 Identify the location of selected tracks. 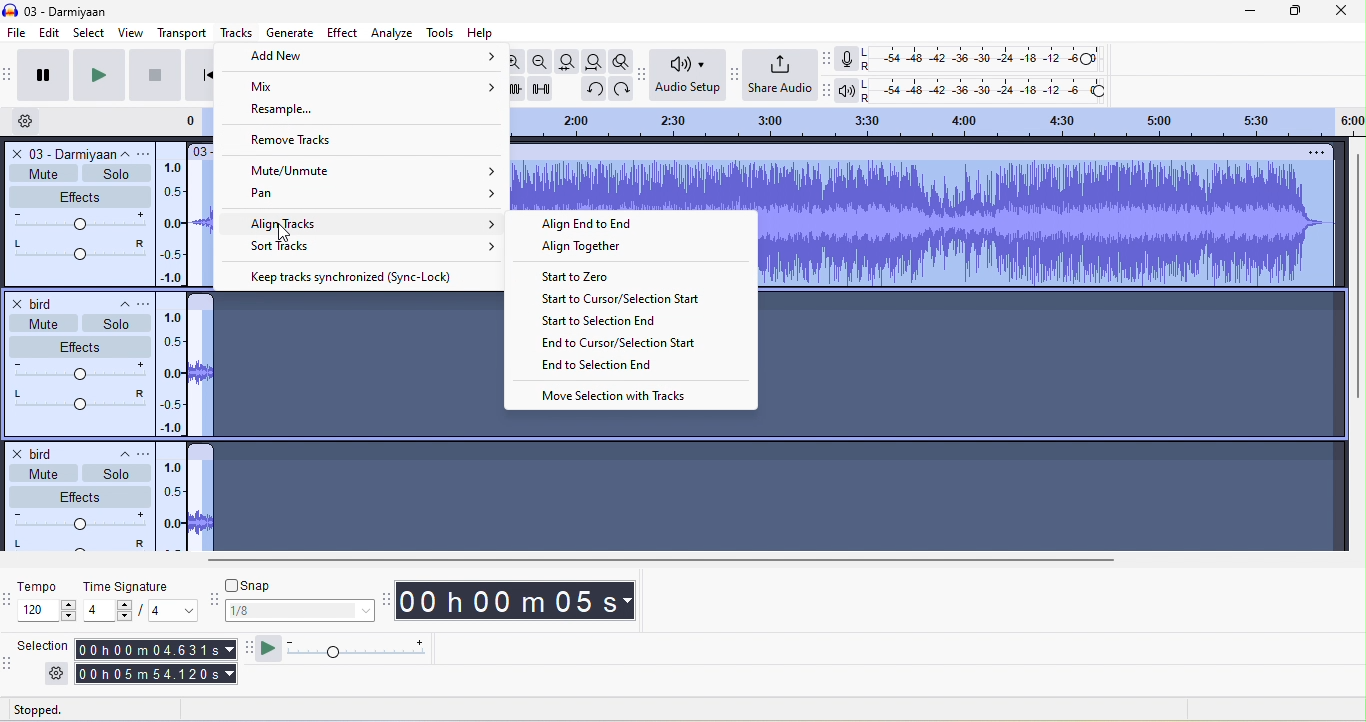
(1054, 360).